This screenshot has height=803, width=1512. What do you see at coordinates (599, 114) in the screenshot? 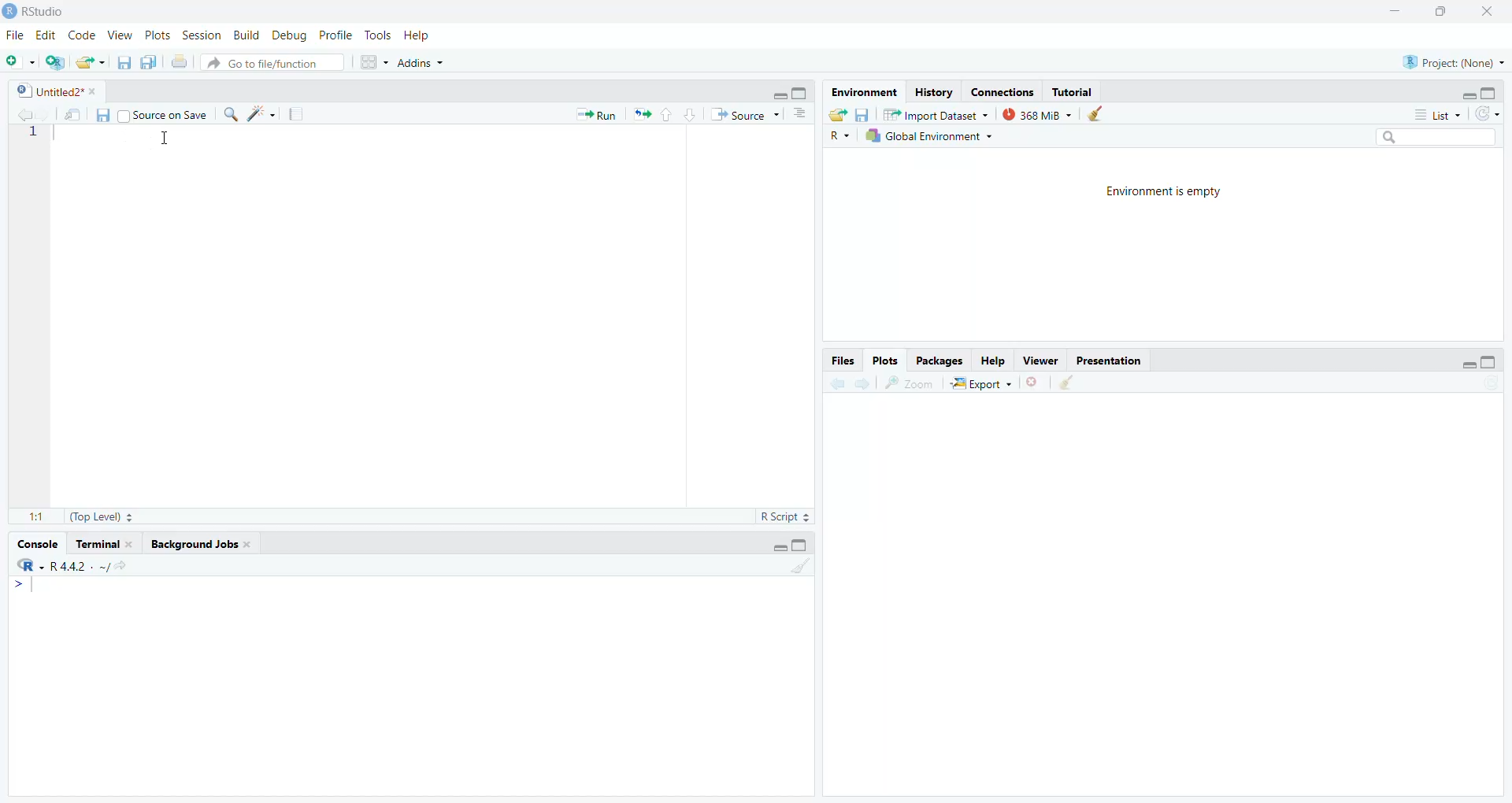
I see `* Run` at bounding box center [599, 114].